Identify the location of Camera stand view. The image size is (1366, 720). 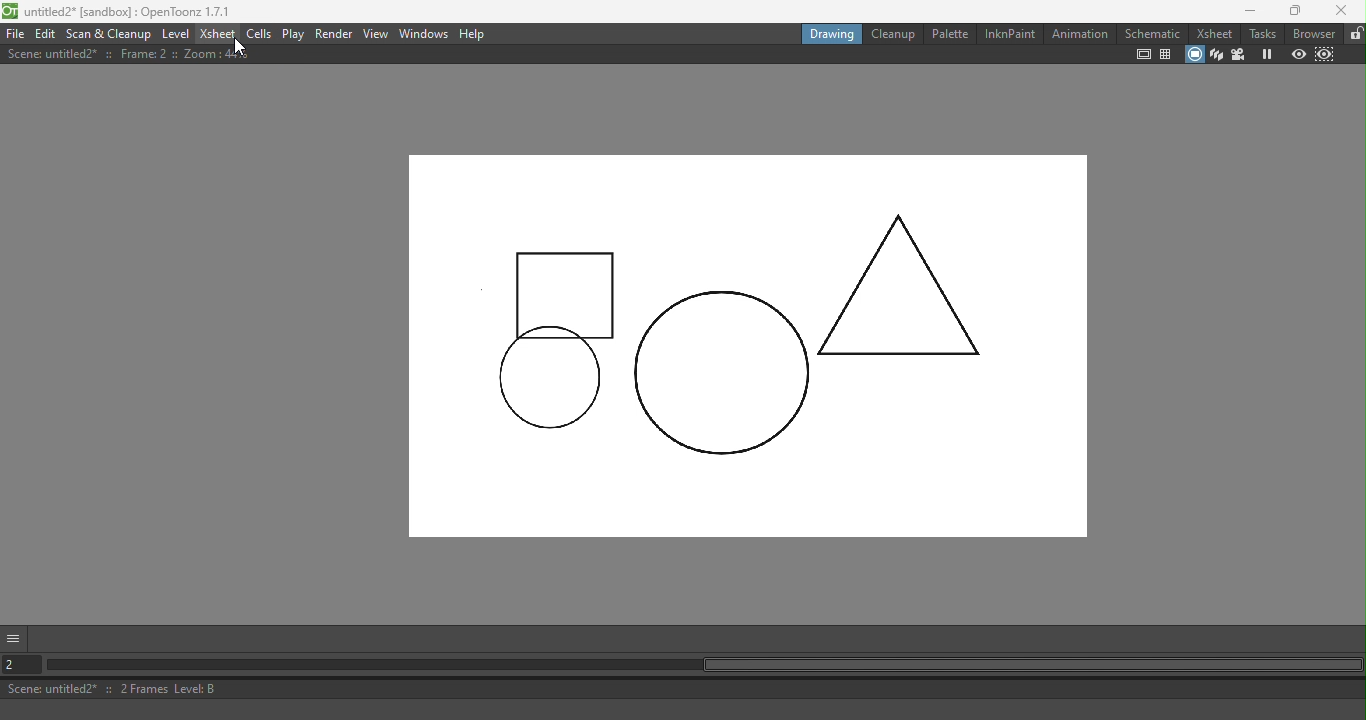
(1193, 55).